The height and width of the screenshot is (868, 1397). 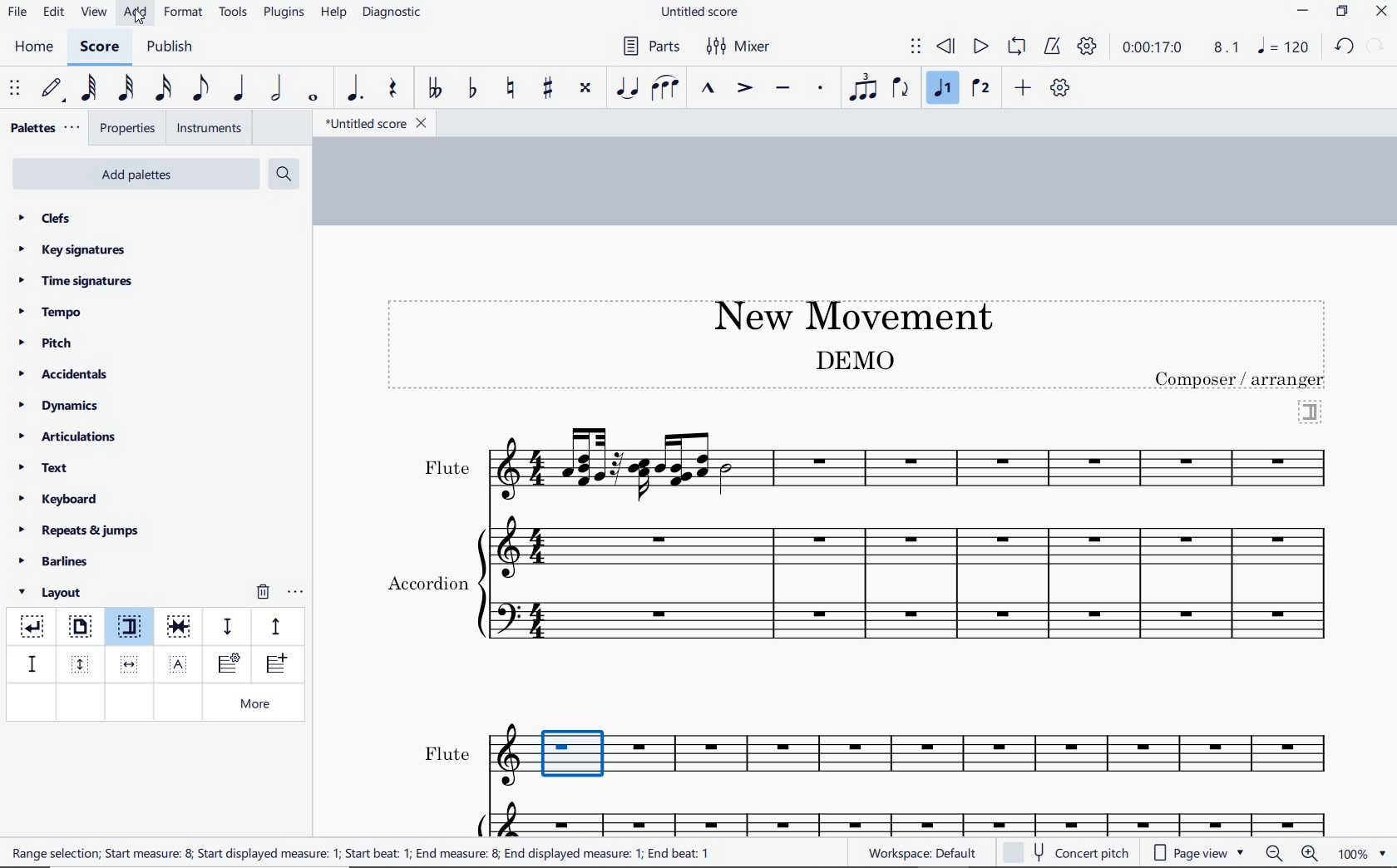 What do you see at coordinates (853, 359) in the screenshot?
I see `text` at bounding box center [853, 359].